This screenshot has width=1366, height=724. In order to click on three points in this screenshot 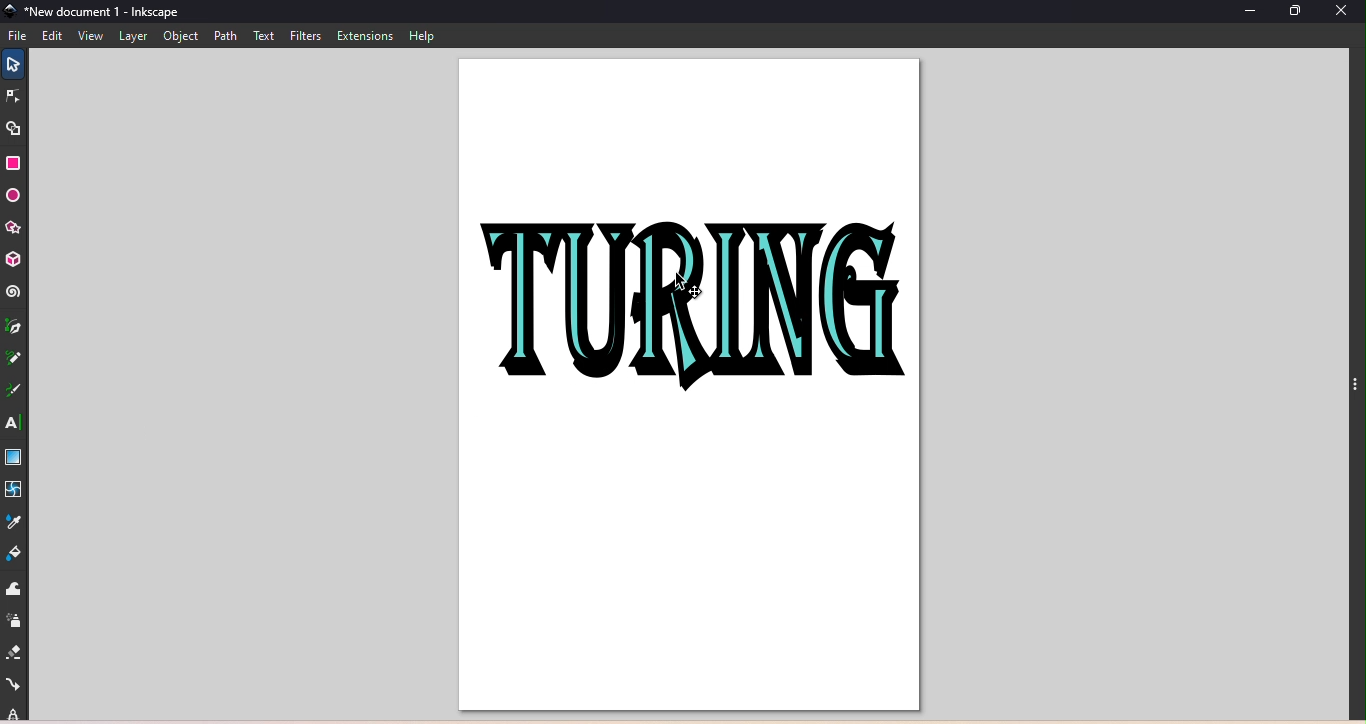, I will do `click(1353, 391)`.